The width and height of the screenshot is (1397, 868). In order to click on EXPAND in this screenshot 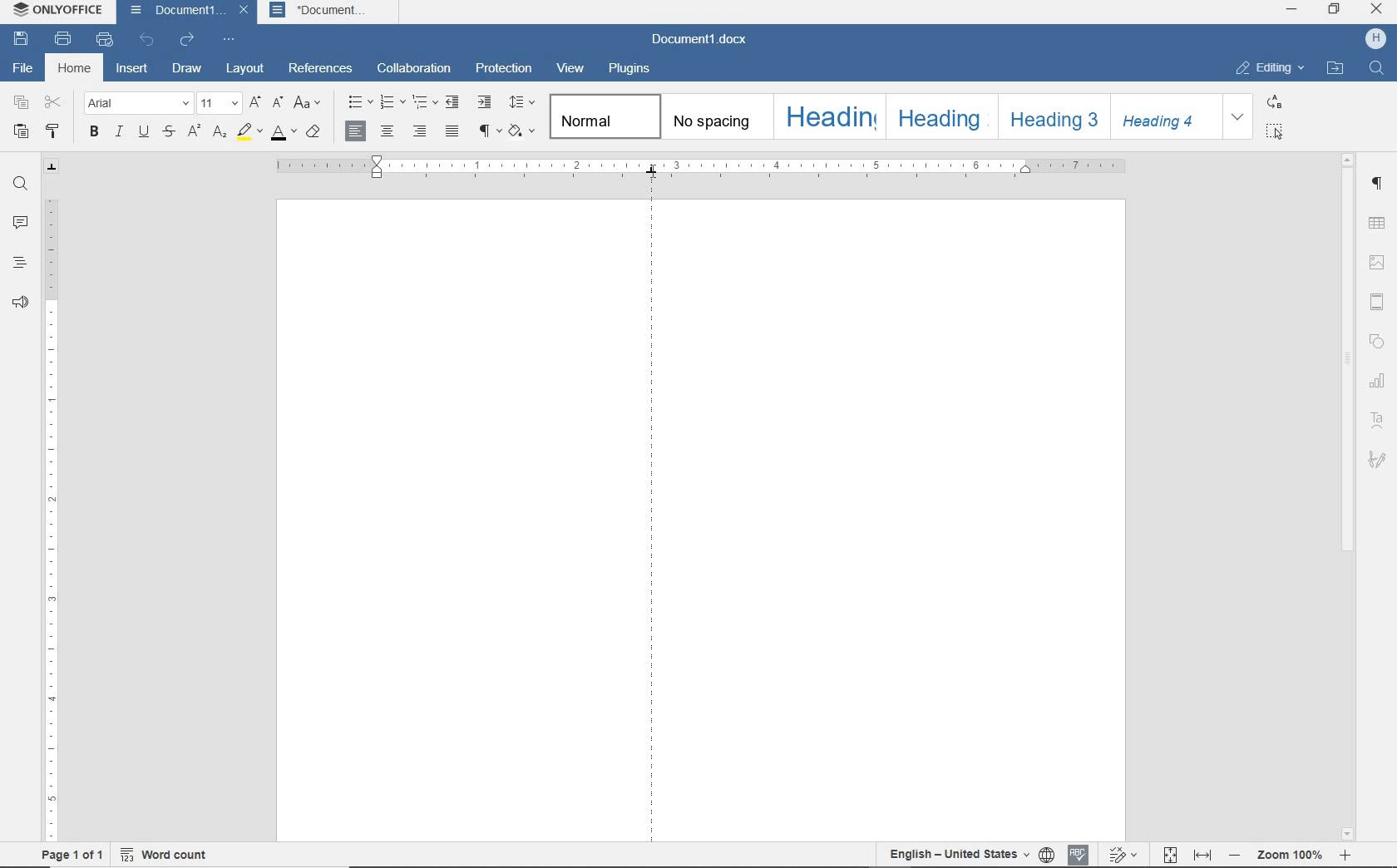, I will do `click(1240, 116)`.